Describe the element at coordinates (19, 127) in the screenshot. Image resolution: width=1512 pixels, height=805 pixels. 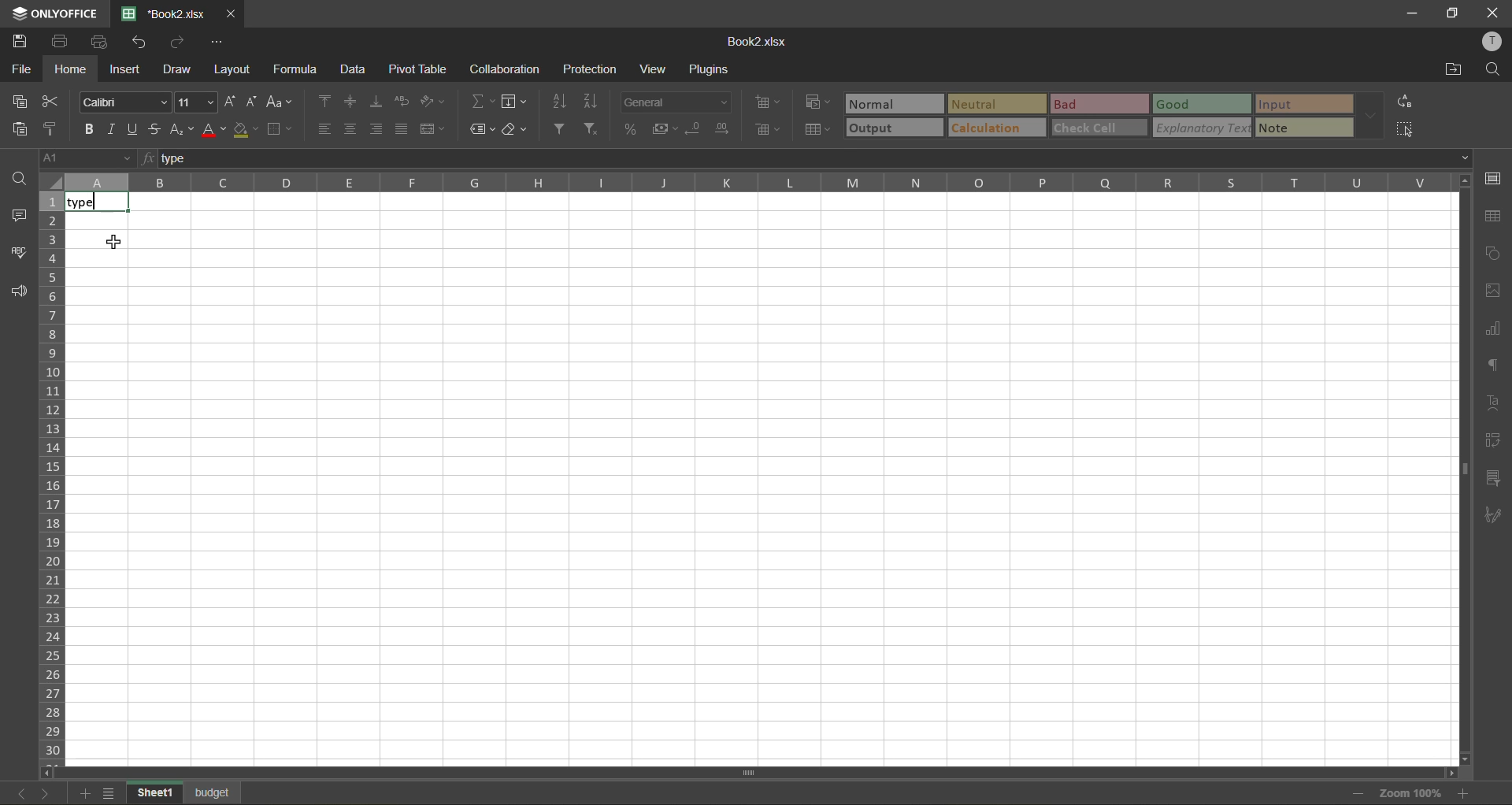
I see `paste` at that location.